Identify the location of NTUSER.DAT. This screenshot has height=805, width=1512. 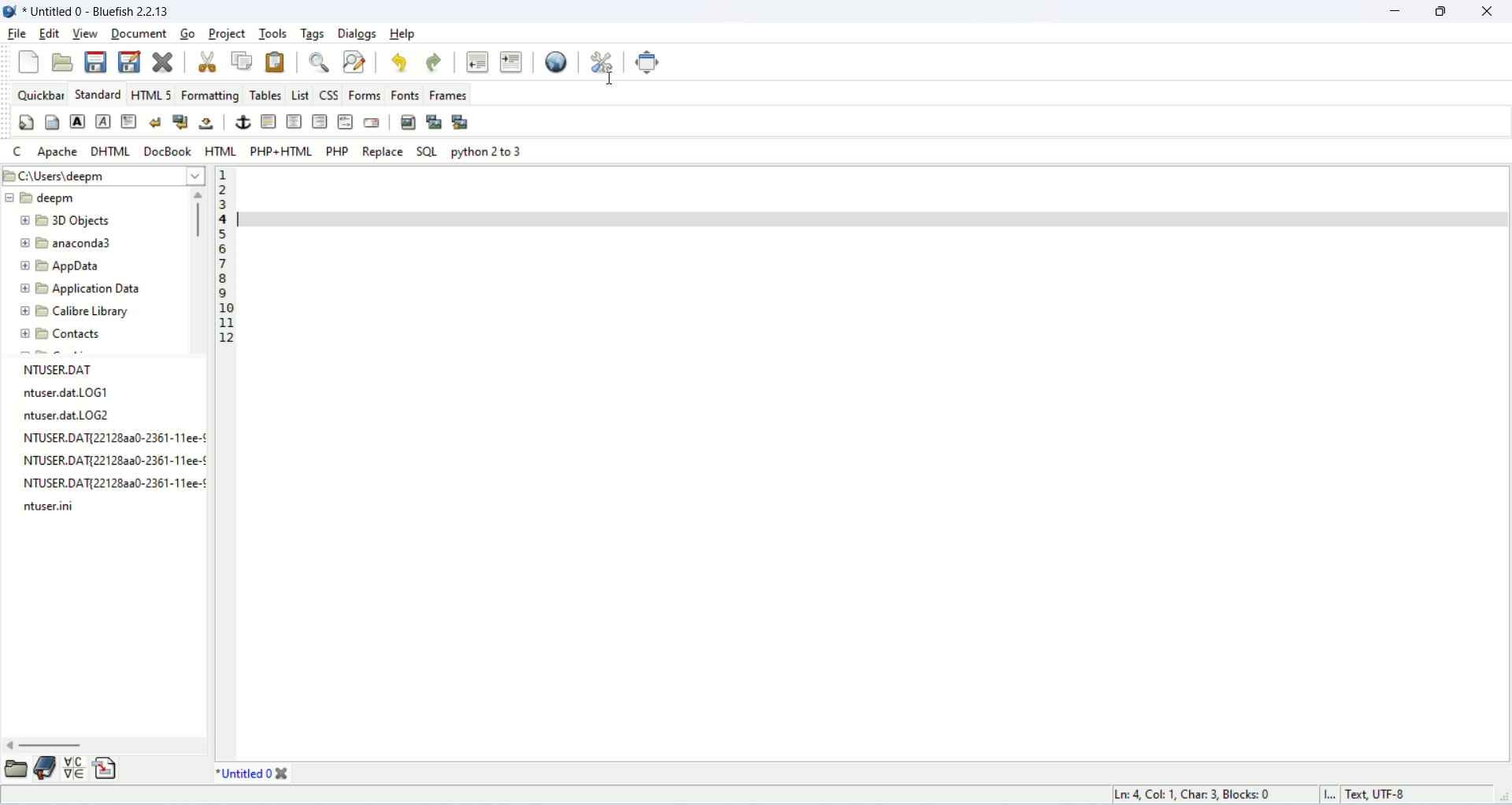
(68, 369).